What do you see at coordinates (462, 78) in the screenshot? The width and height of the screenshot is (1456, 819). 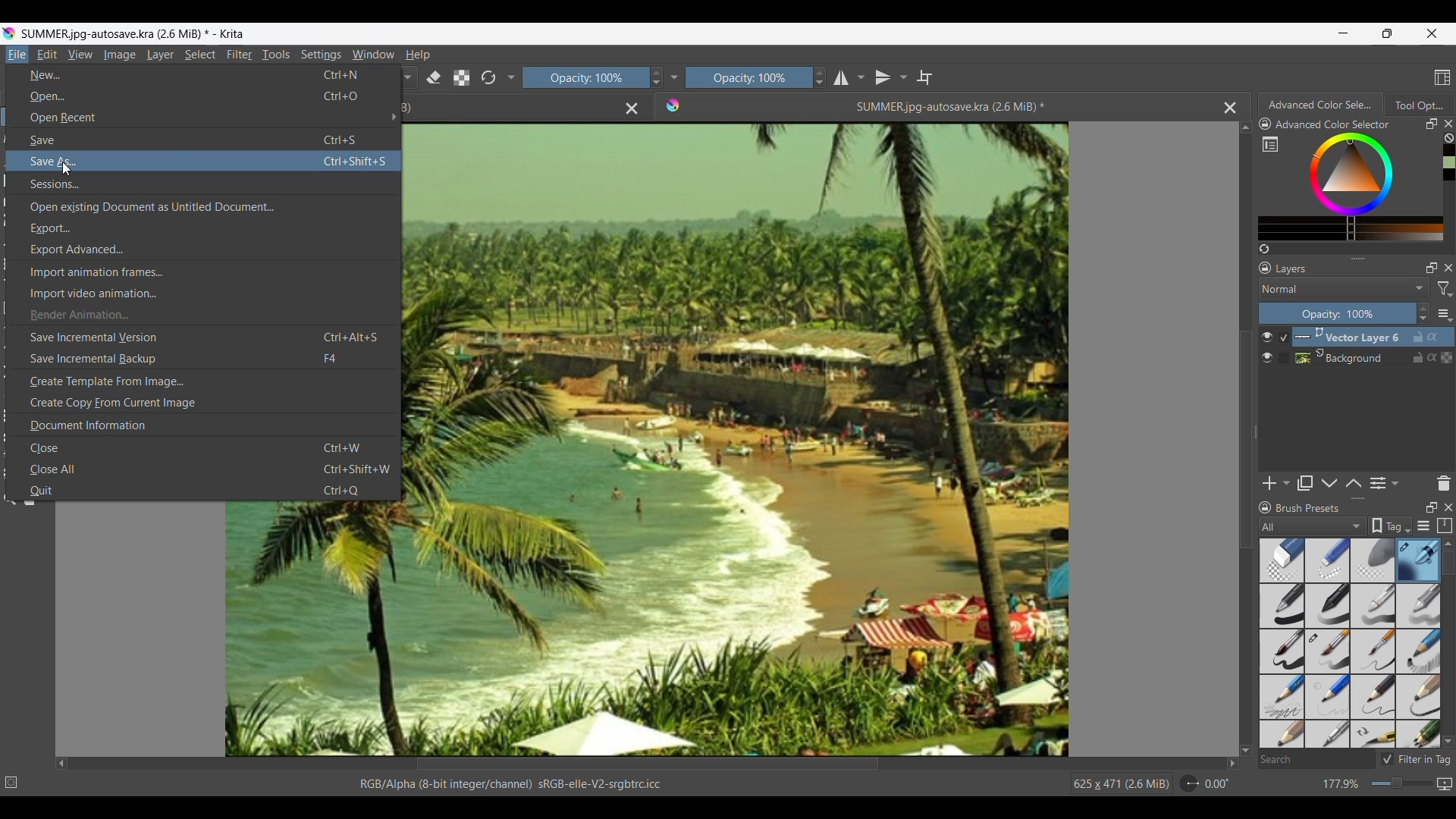 I see `Preserve Alpha` at bounding box center [462, 78].